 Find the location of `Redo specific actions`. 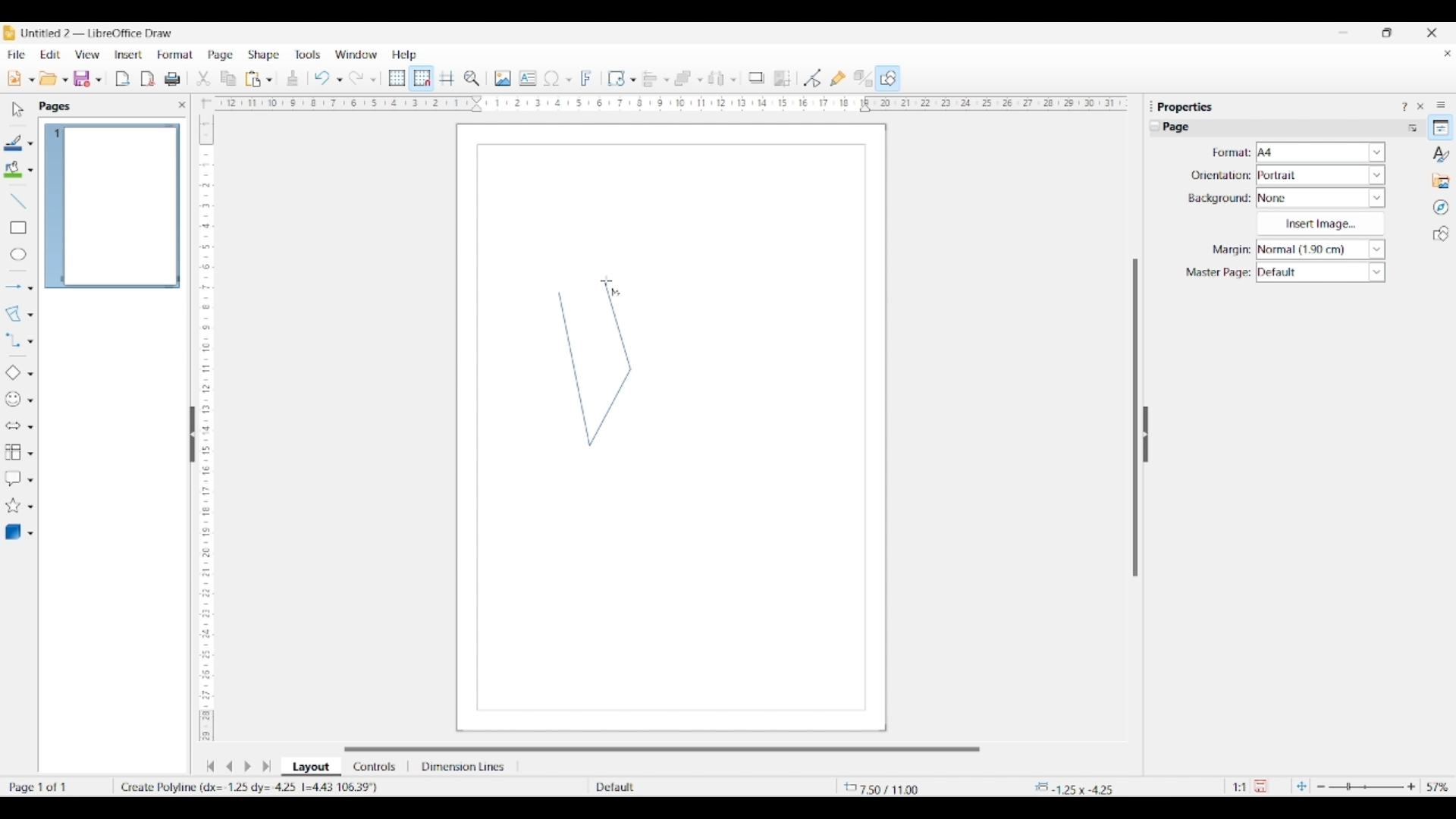

Redo specific actions is located at coordinates (373, 80).